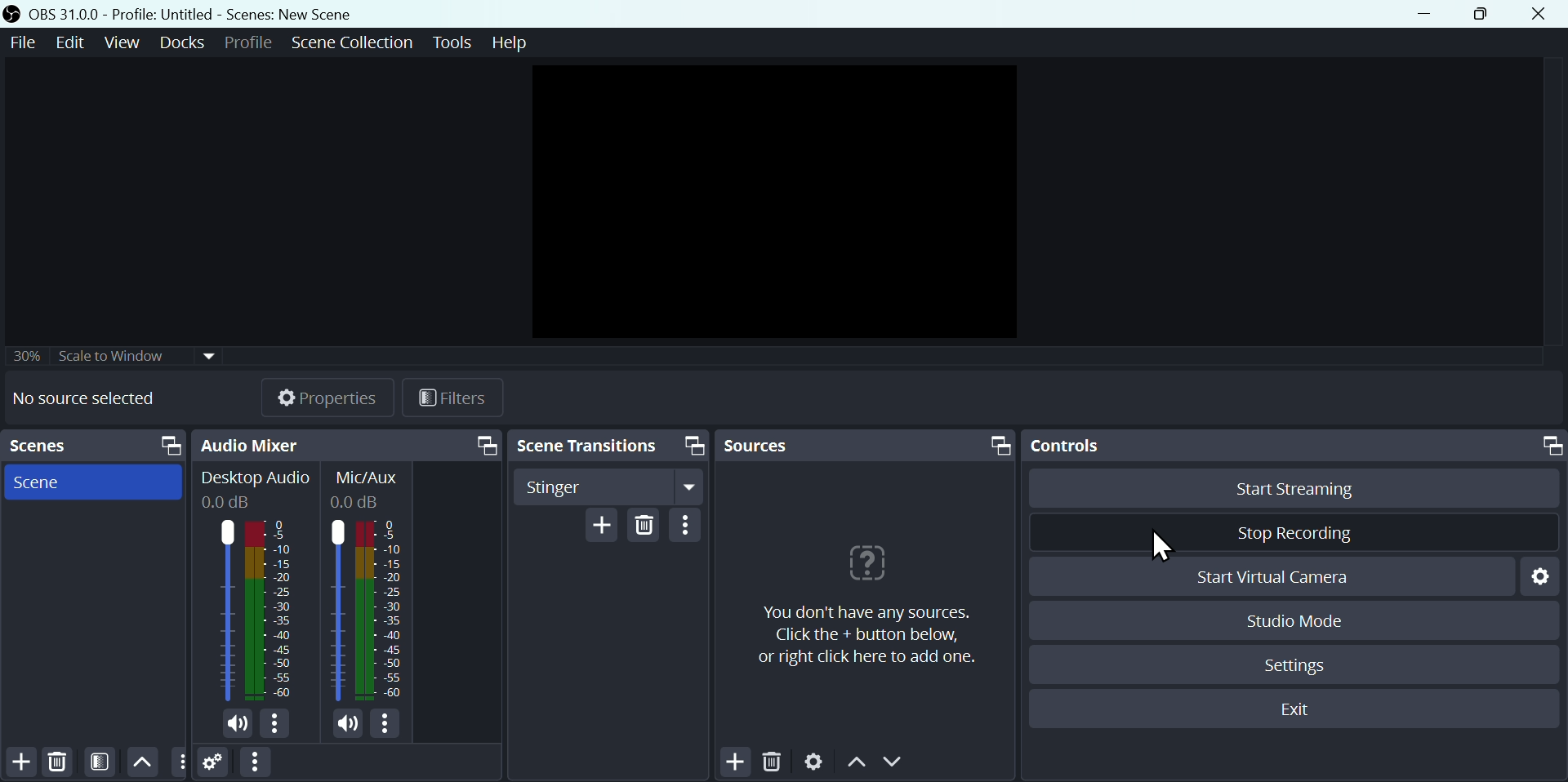  I want to click on 30% Scale to Window , so click(116, 357).